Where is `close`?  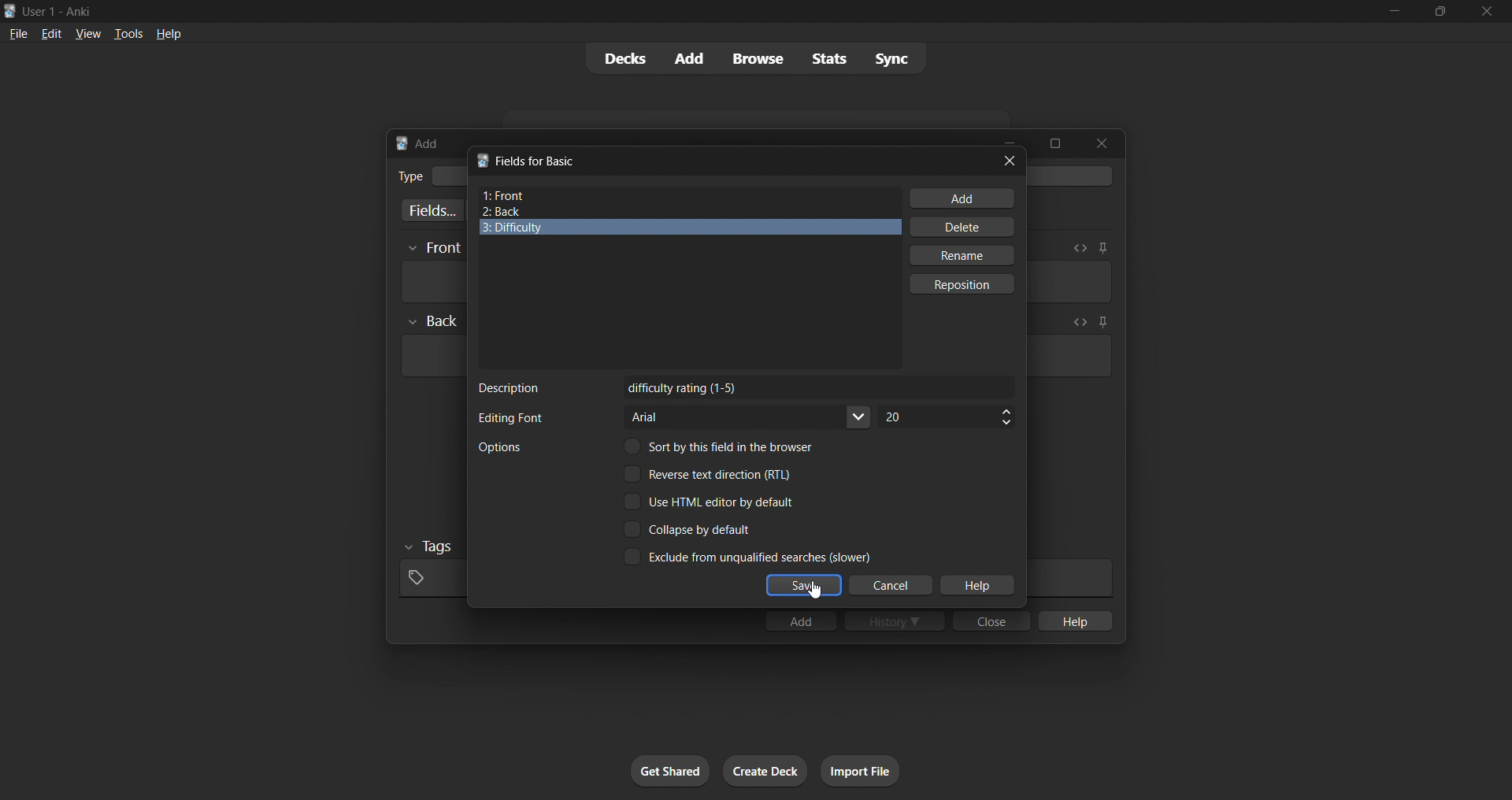
close is located at coordinates (1487, 12).